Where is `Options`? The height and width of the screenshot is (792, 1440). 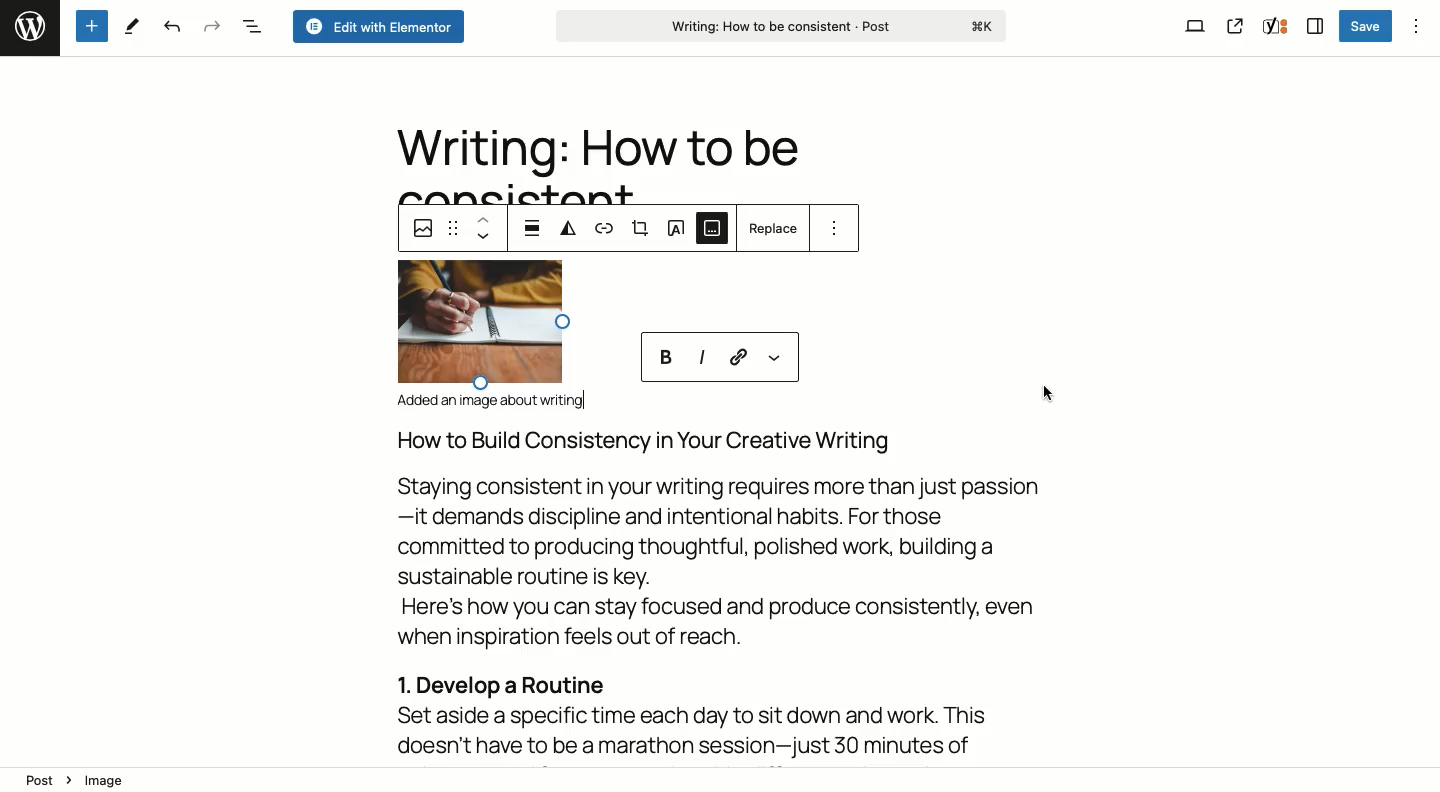 Options is located at coordinates (835, 227).